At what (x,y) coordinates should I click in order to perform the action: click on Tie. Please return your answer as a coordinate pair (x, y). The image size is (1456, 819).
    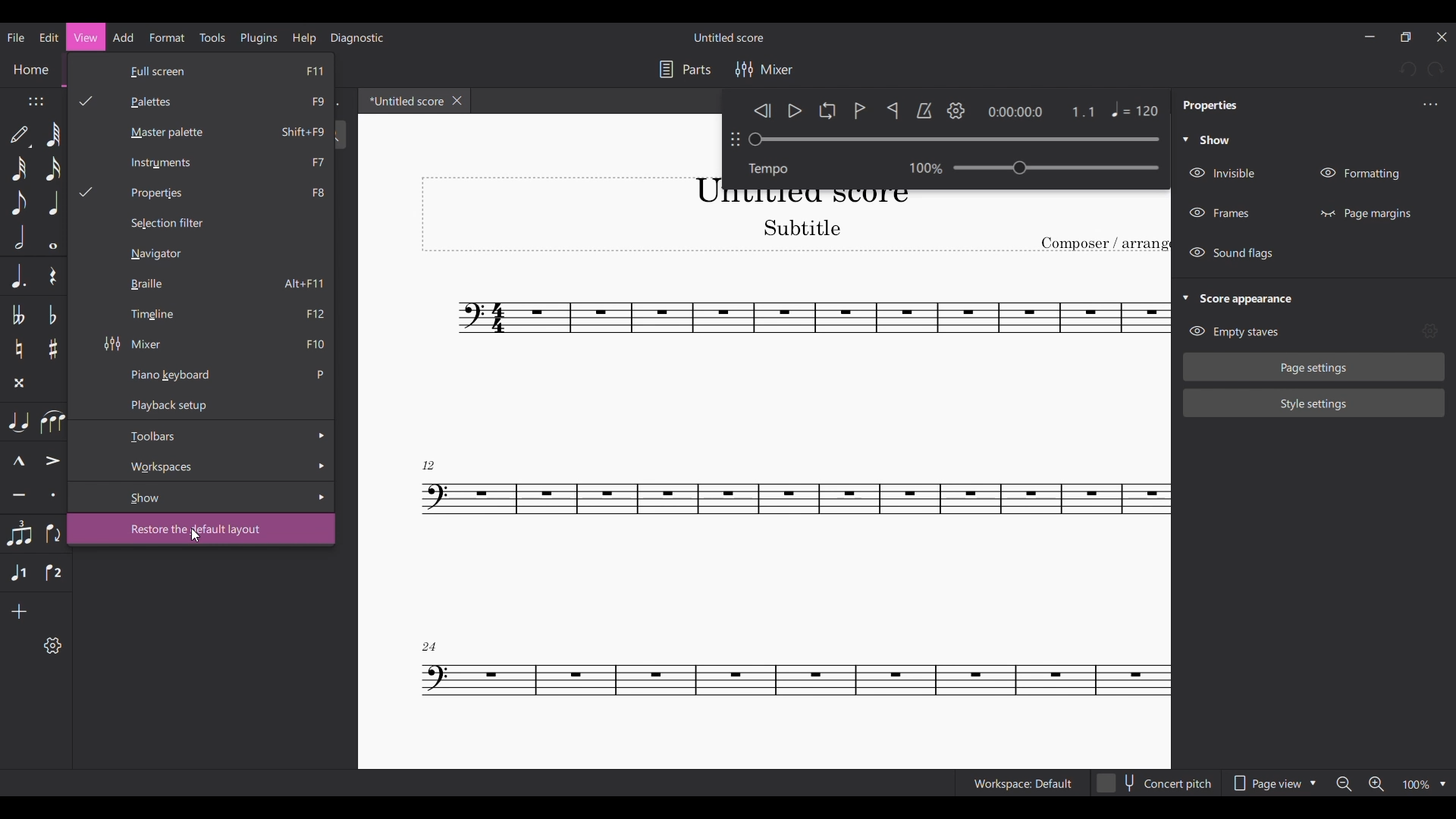
    Looking at the image, I should click on (19, 422).